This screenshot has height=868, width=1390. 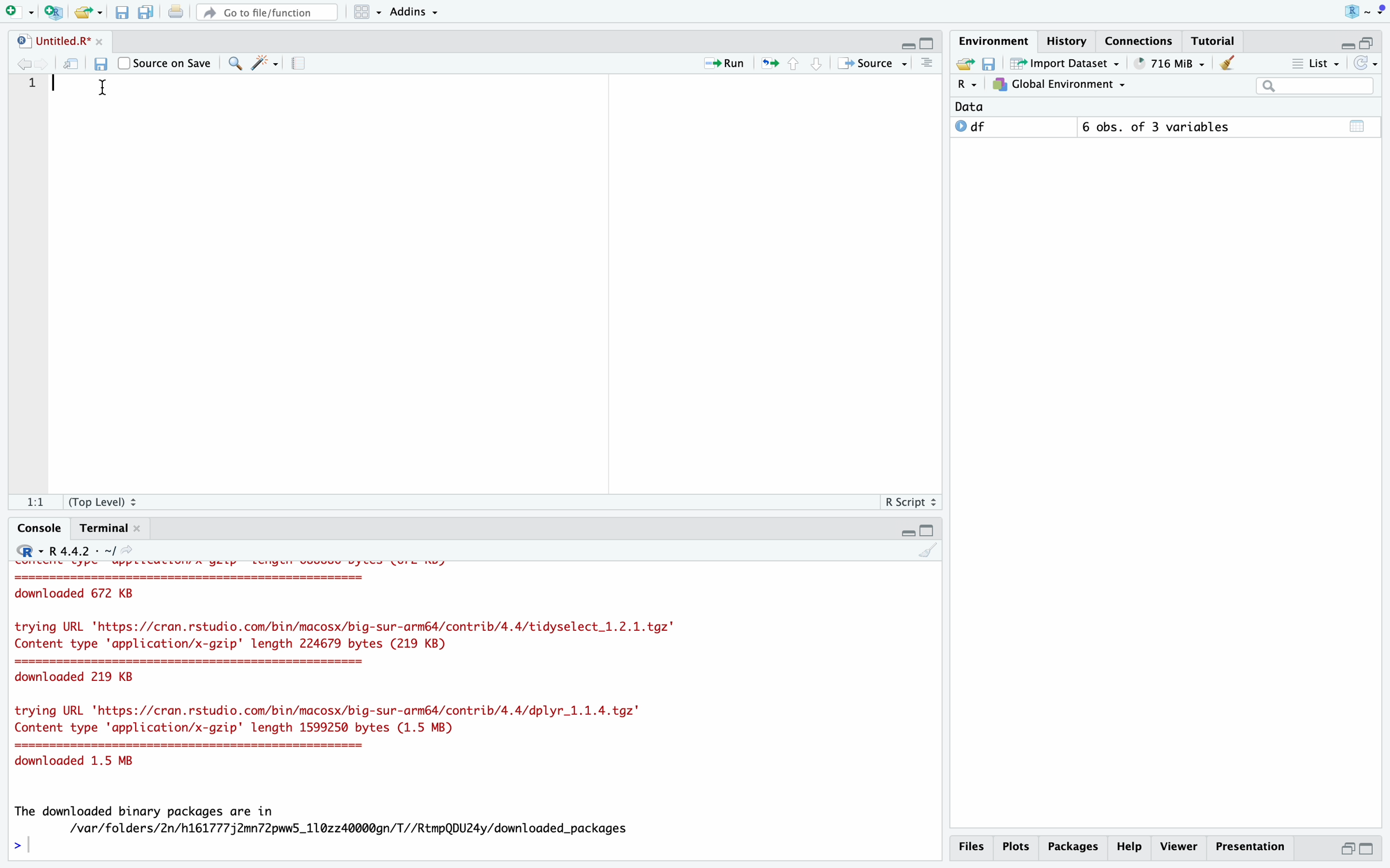 What do you see at coordinates (1013, 127) in the screenshot?
I see `O df` at bounding box center [1013, 127].